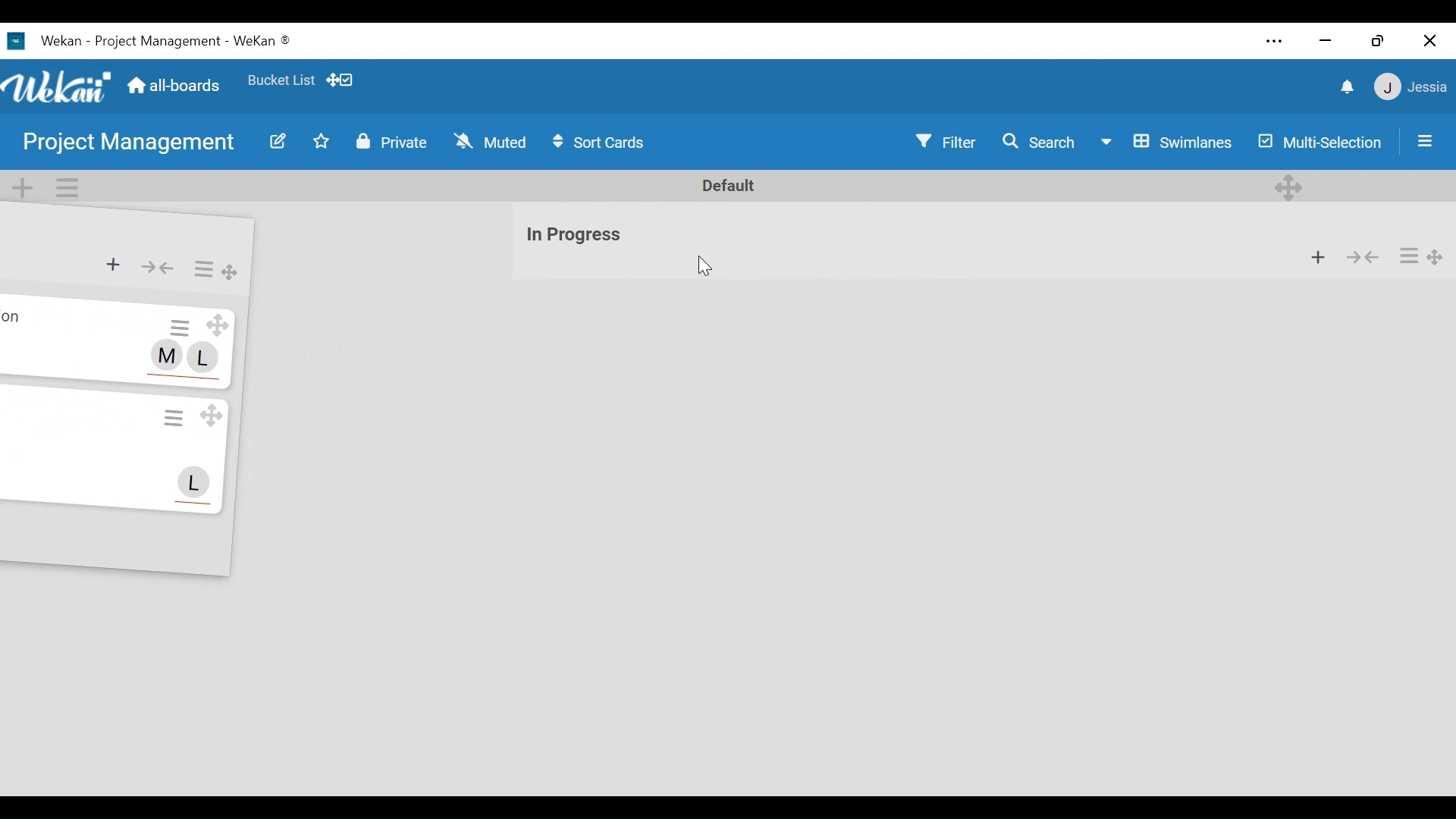  What do you see at coordinates (17, 42) in the screenshot?
I see `Wekan Desktop Icon` at bounding box center [17, 42].